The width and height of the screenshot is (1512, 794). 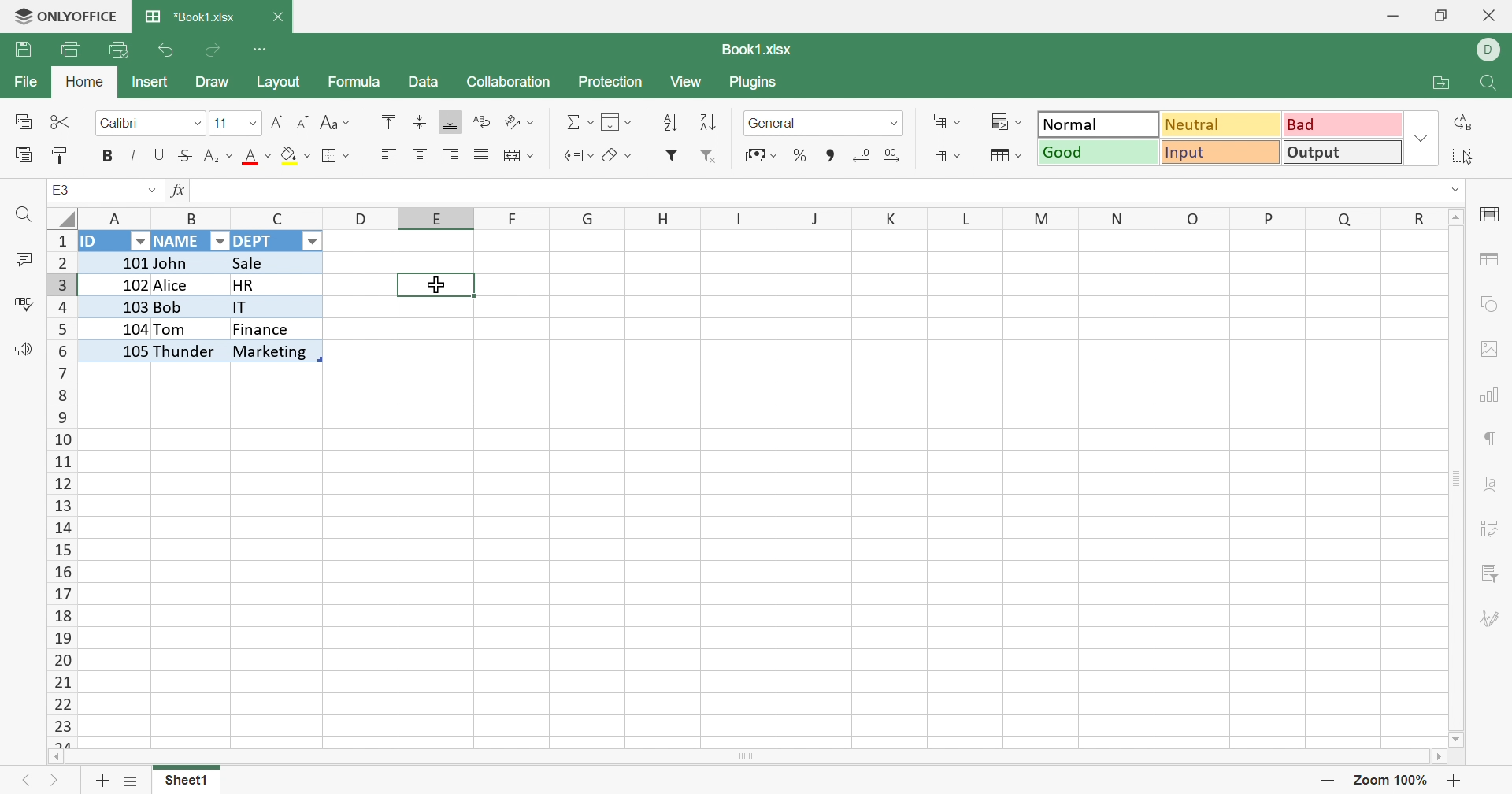 I want to click on Scroll Down, so click(x=1457, y=736).